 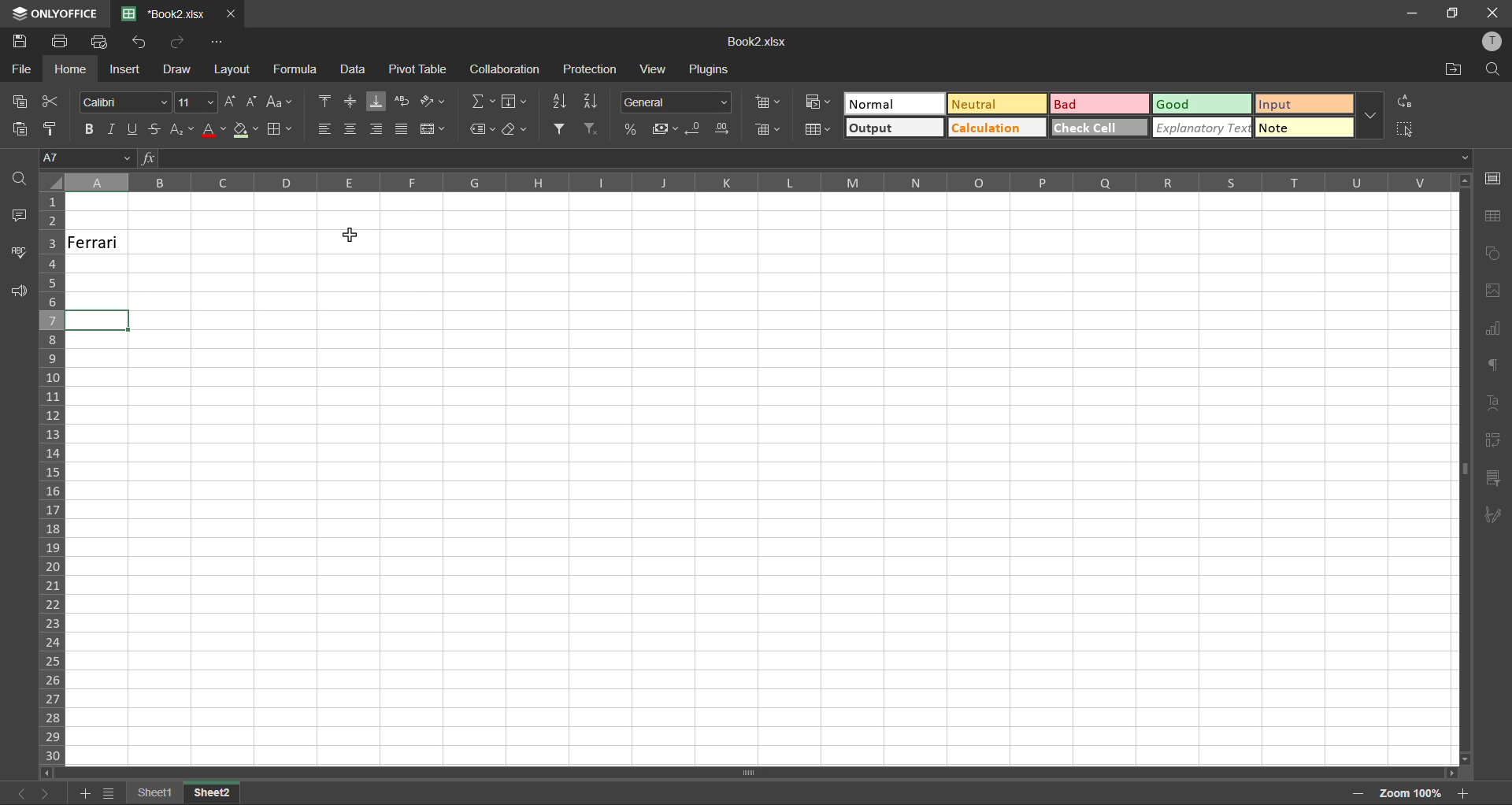 I want to click on sort descending, so click(x=592, y=101).